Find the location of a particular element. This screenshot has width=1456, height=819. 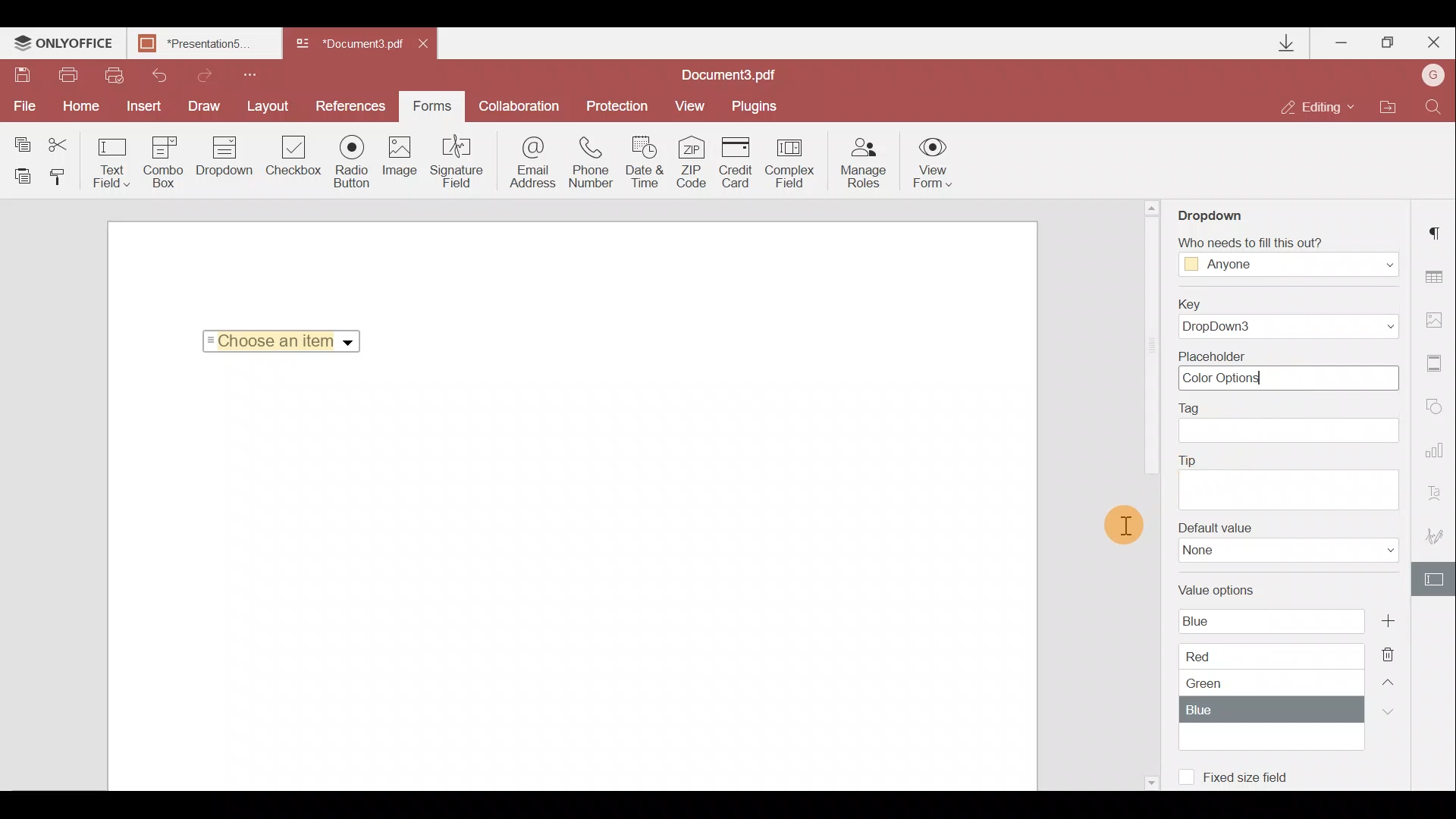

Text field is located at coordinates (109, 162).